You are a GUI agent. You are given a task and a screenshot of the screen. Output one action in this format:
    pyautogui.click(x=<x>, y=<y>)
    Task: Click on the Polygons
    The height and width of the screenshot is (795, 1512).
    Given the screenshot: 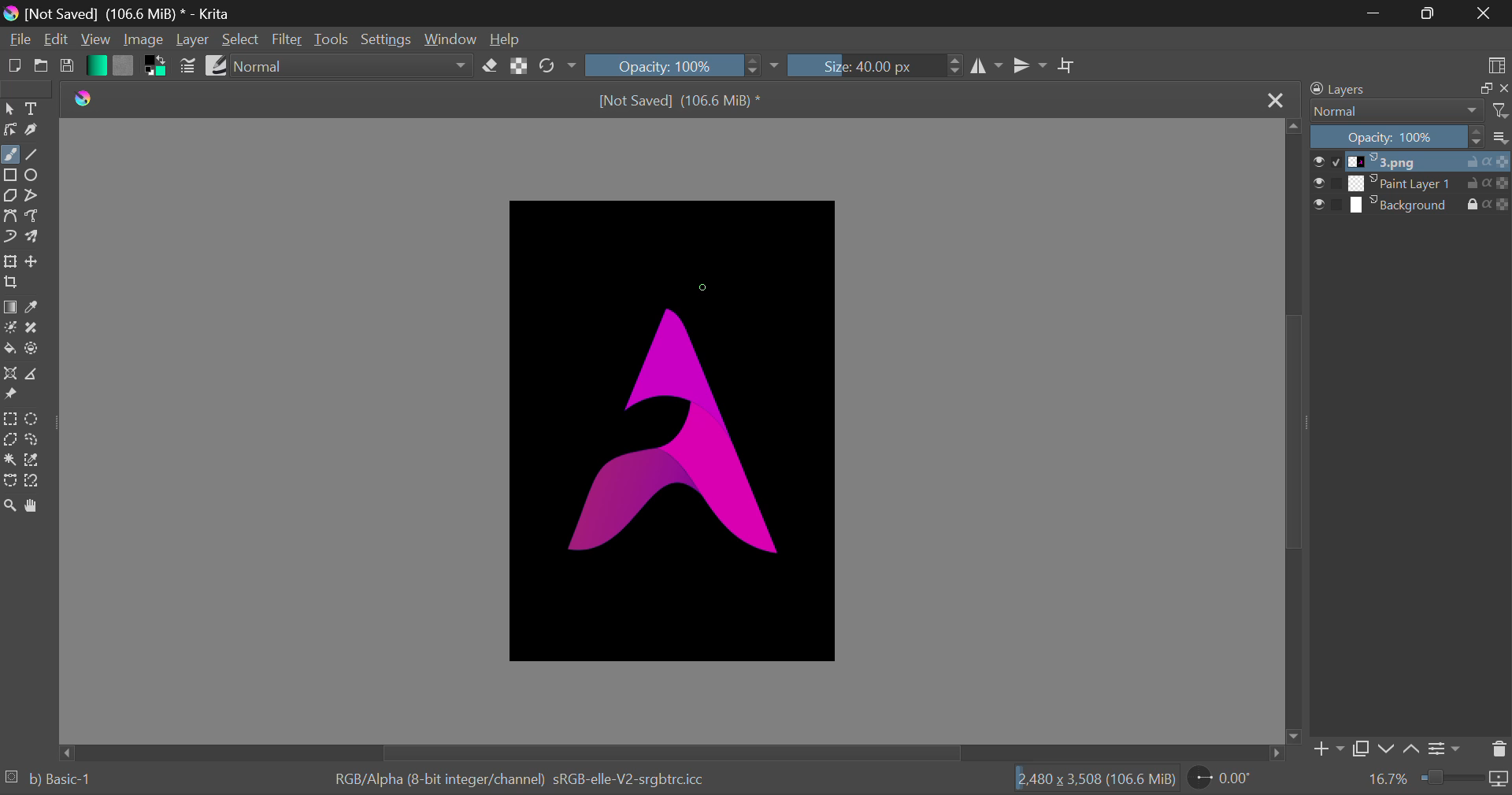 What is the action you would take?
    pyautogui.click(x=9, y=197)
    